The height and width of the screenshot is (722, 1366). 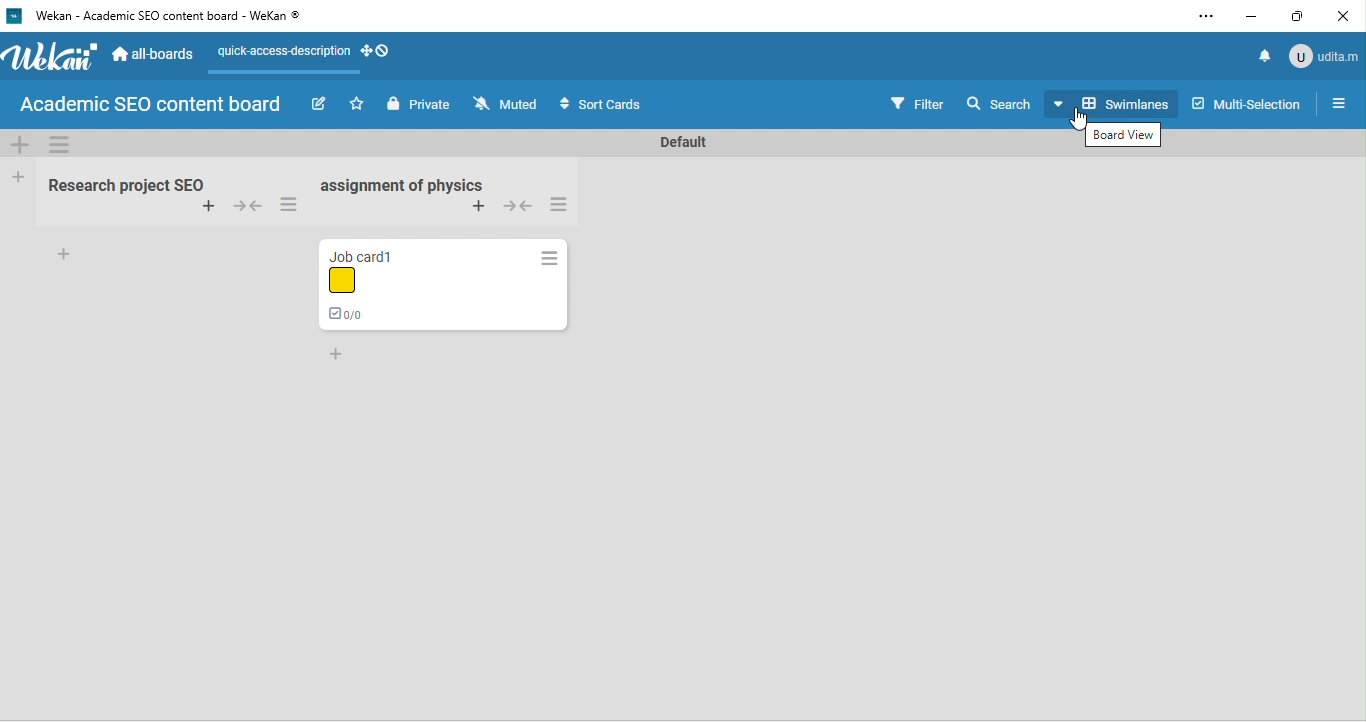 What do you see at coordinates (293, 204) in the screenshot?
I see `list action` at bounding box center [293, 204].